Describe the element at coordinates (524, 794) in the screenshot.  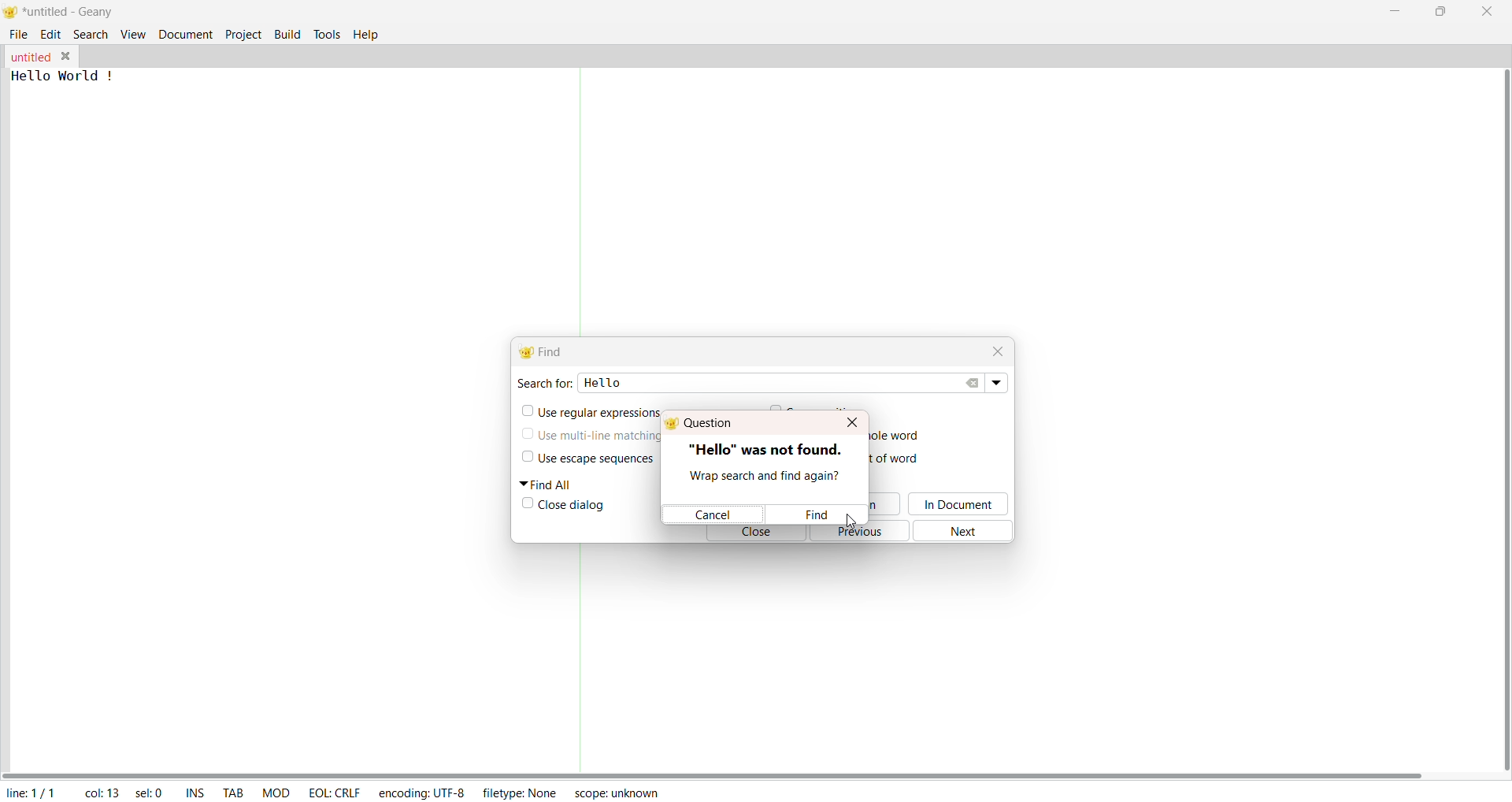
I see `Filtertype` at that location.